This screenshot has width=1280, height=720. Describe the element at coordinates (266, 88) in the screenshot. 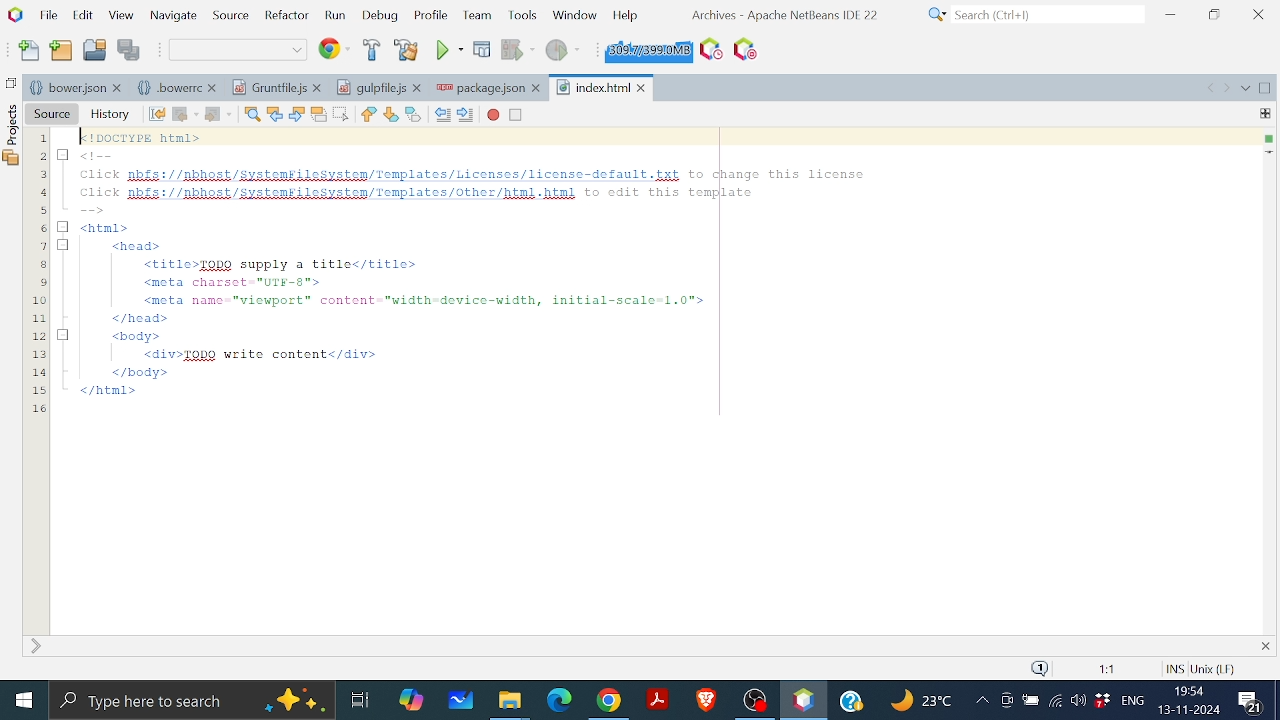

I see `Gruntpile.js` at that location.